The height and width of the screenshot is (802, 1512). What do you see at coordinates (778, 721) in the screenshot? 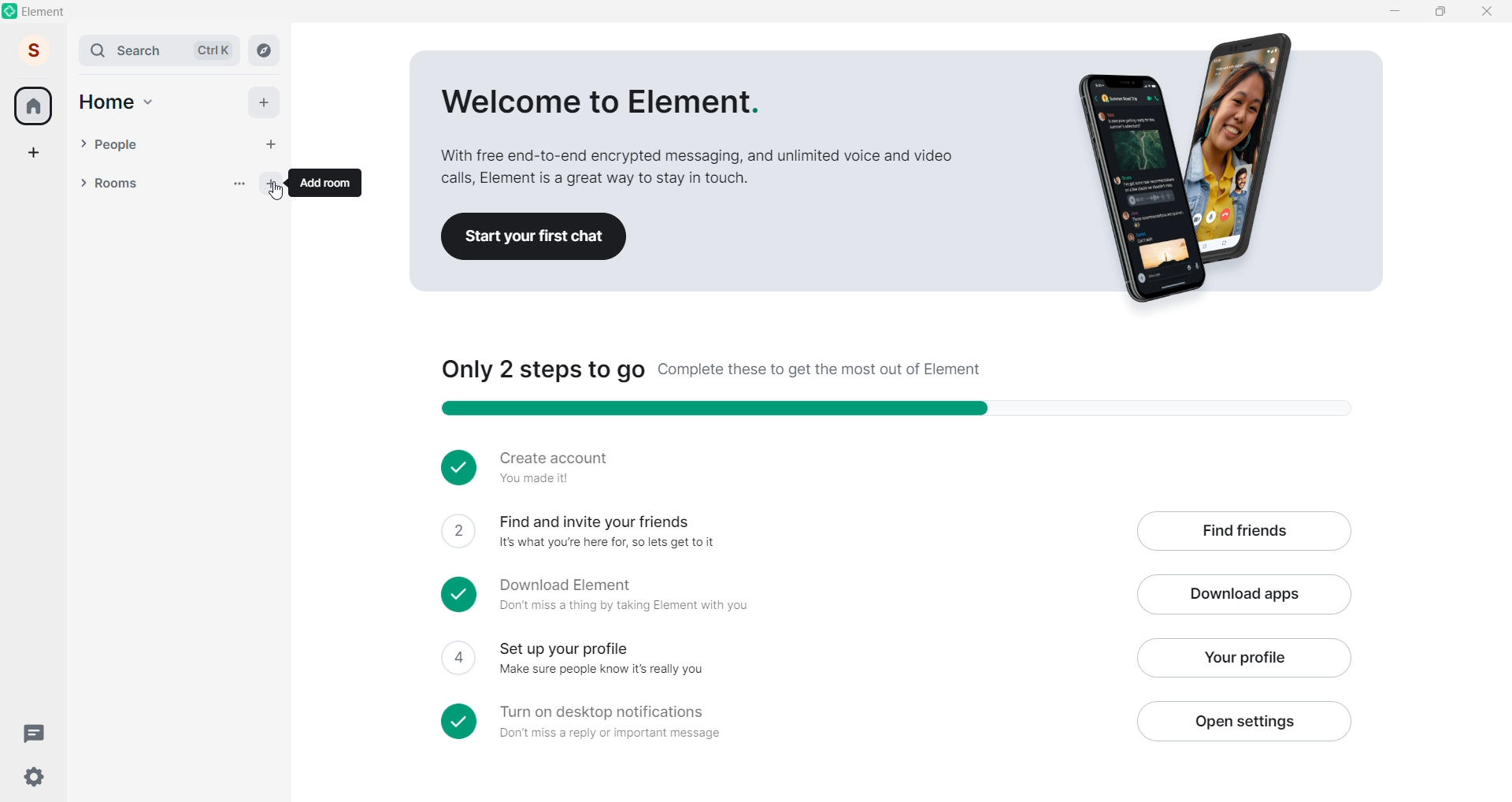
I see `Turn on desktop notifications
Don't miss a reply or important message` at bounding box center [778, 721].